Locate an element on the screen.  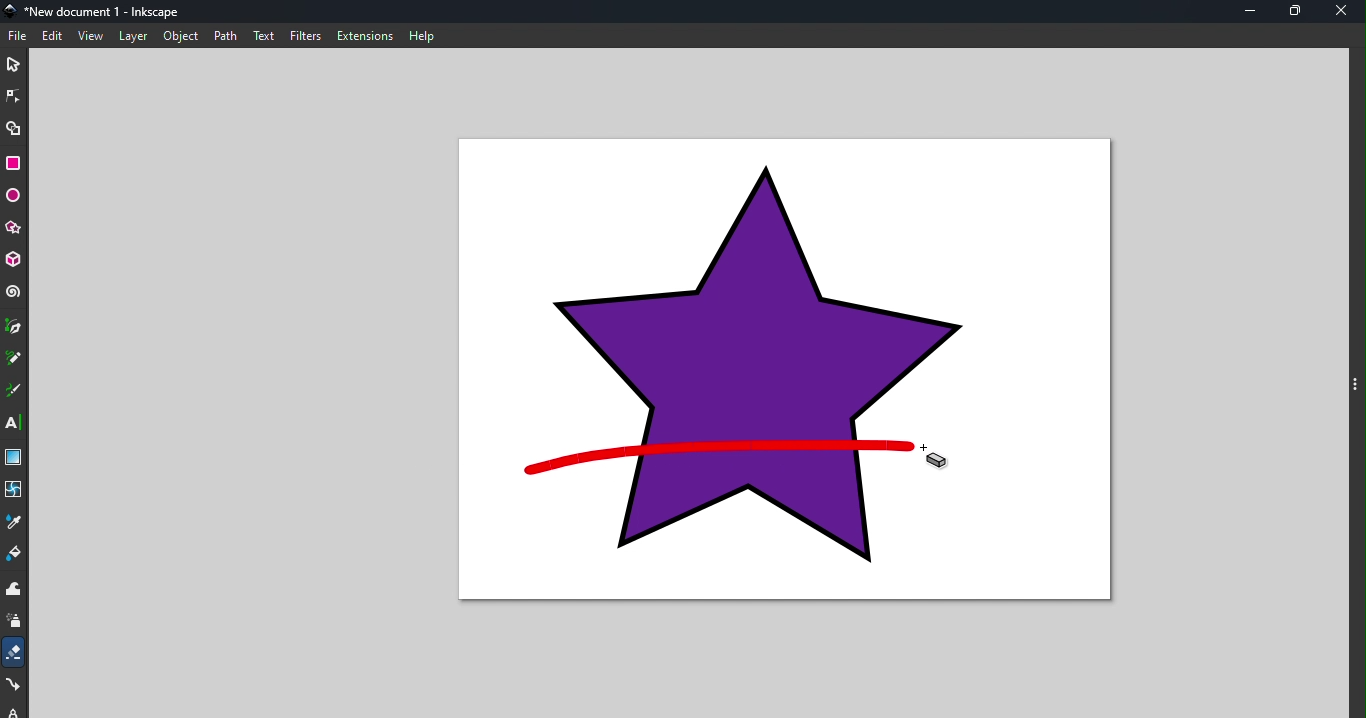
maximize is located at coordinates (1299, 12).